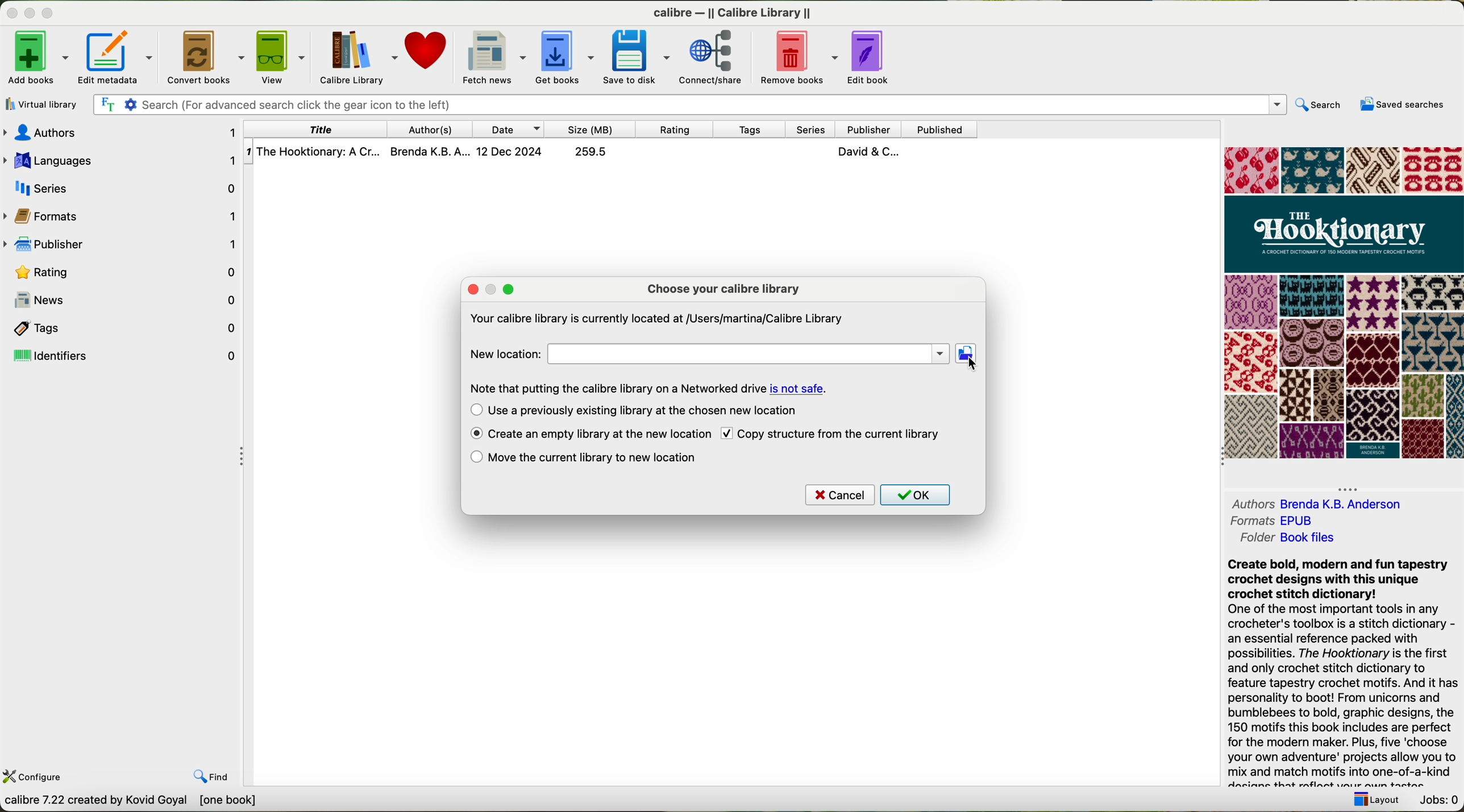  What do you see at coordinates (356, 57) in the screenshot?
I see `Calibre library` at bounding box center [356, 57].